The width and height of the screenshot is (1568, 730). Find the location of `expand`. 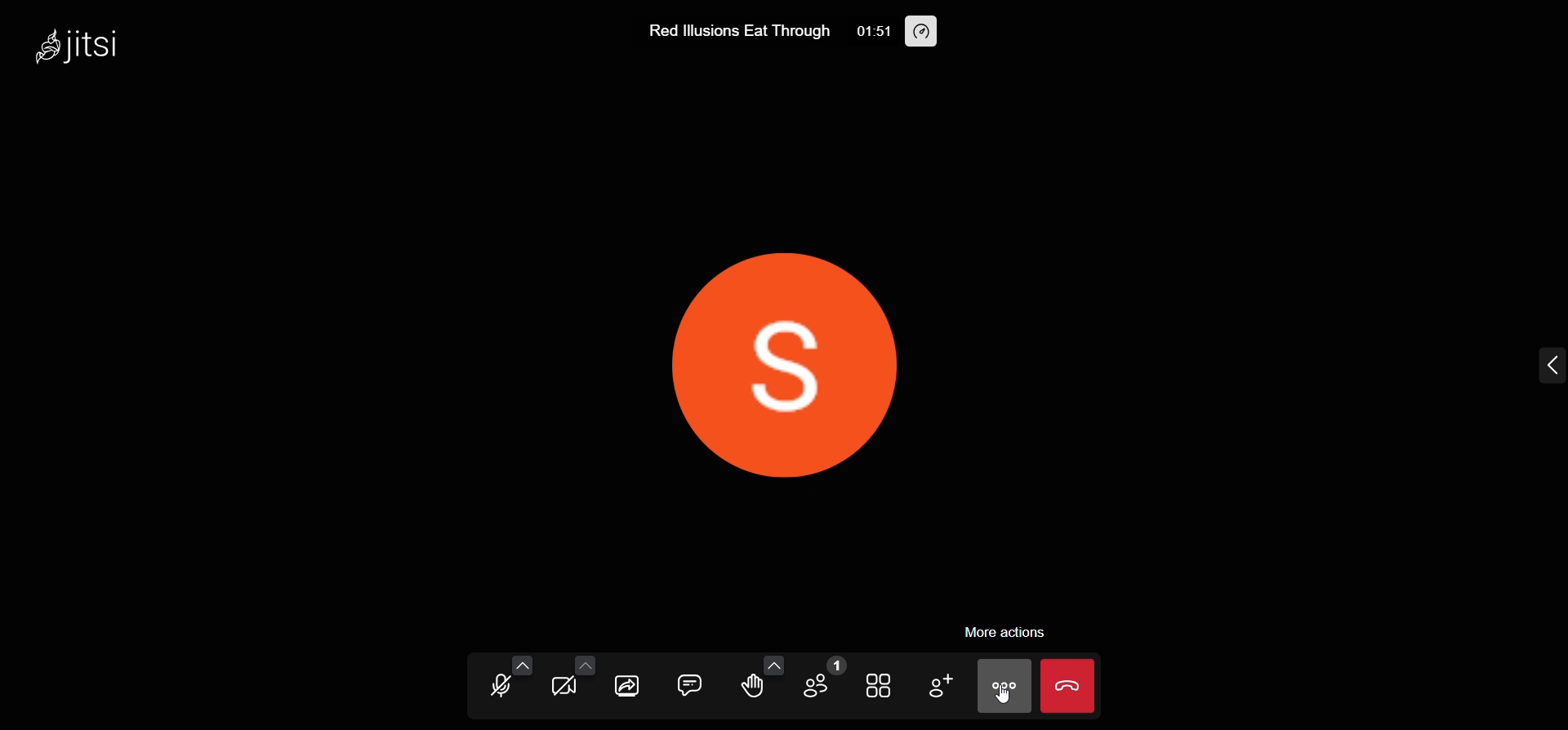

expand is located at coordinates (1548, 367).